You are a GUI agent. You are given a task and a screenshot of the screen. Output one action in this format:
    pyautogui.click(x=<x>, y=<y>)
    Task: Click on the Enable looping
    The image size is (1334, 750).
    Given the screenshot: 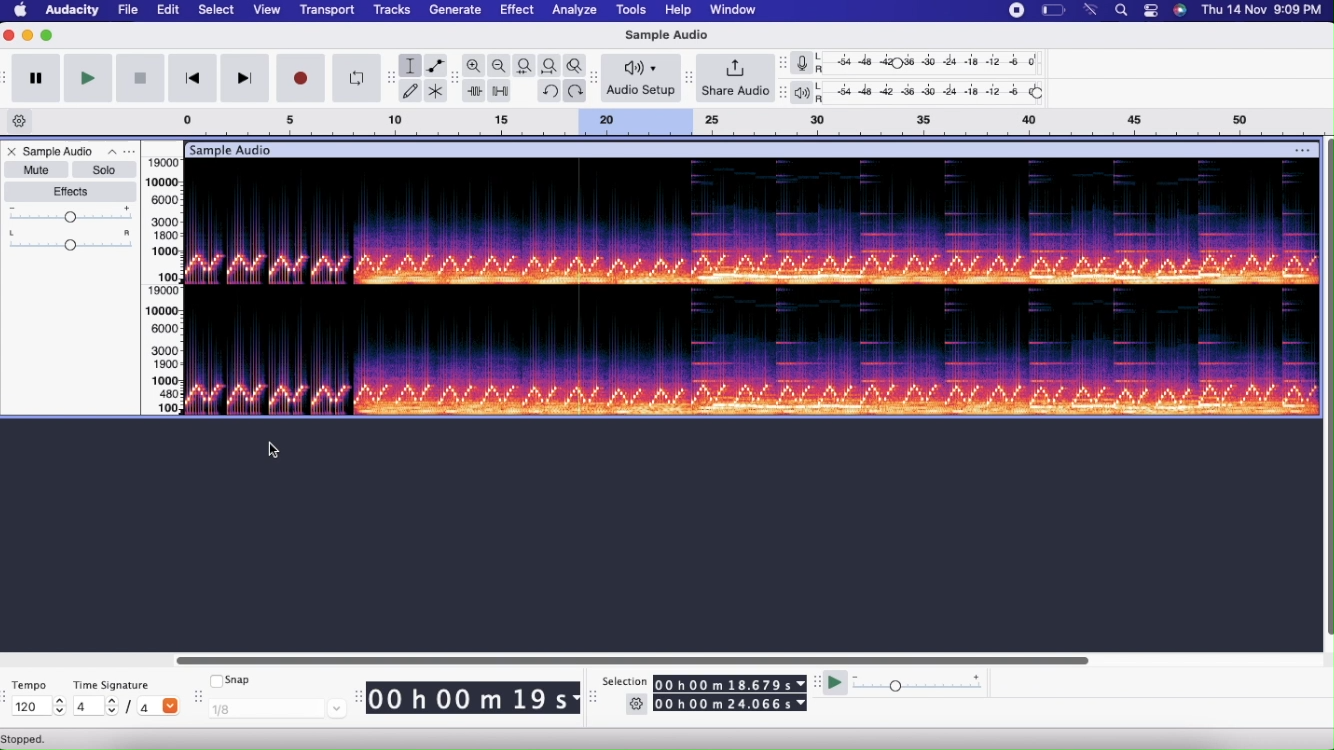 What is the action you would take?
    pyautogui.click(x=359, y=77)
    